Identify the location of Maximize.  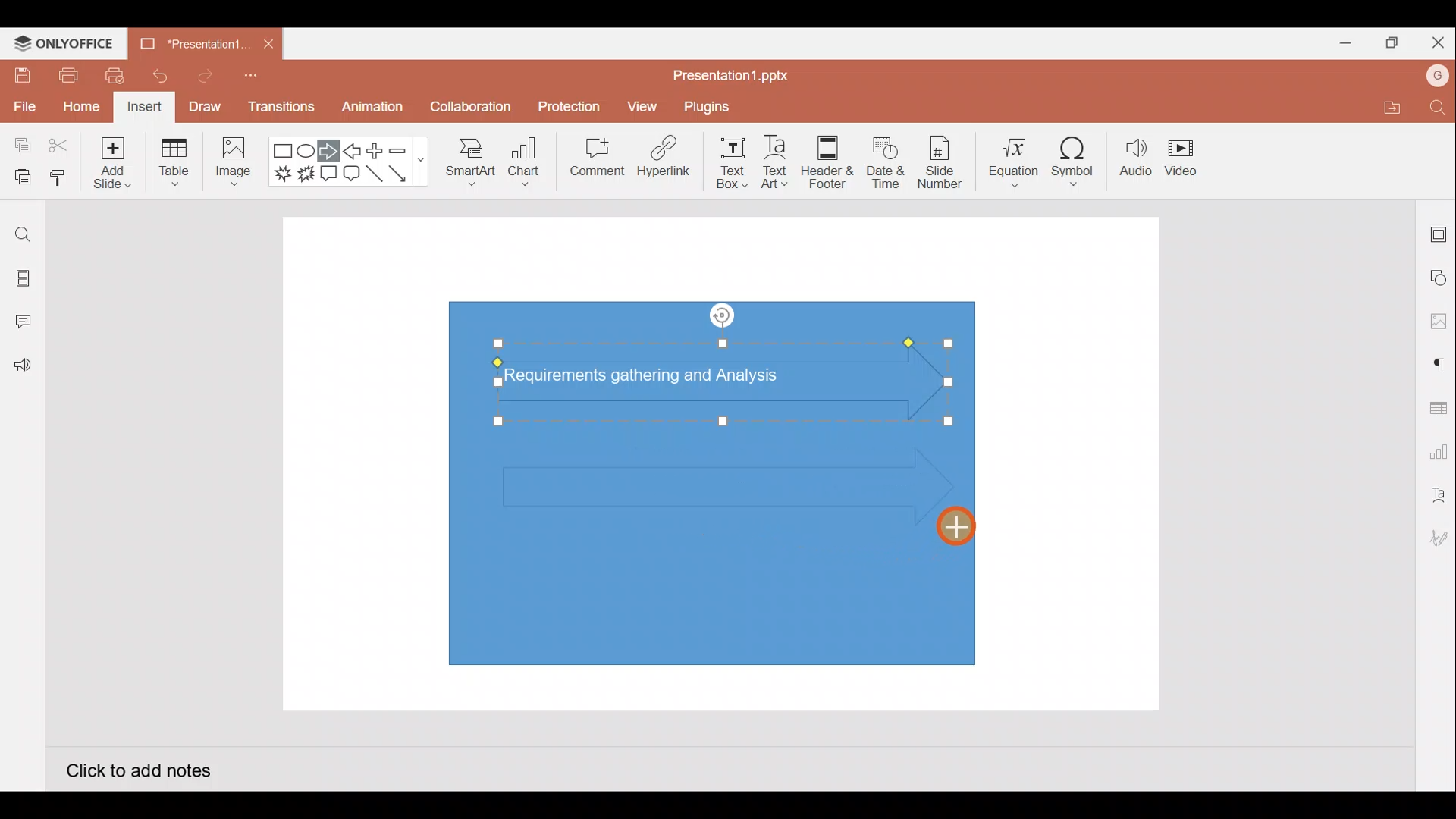
(1388, 43).